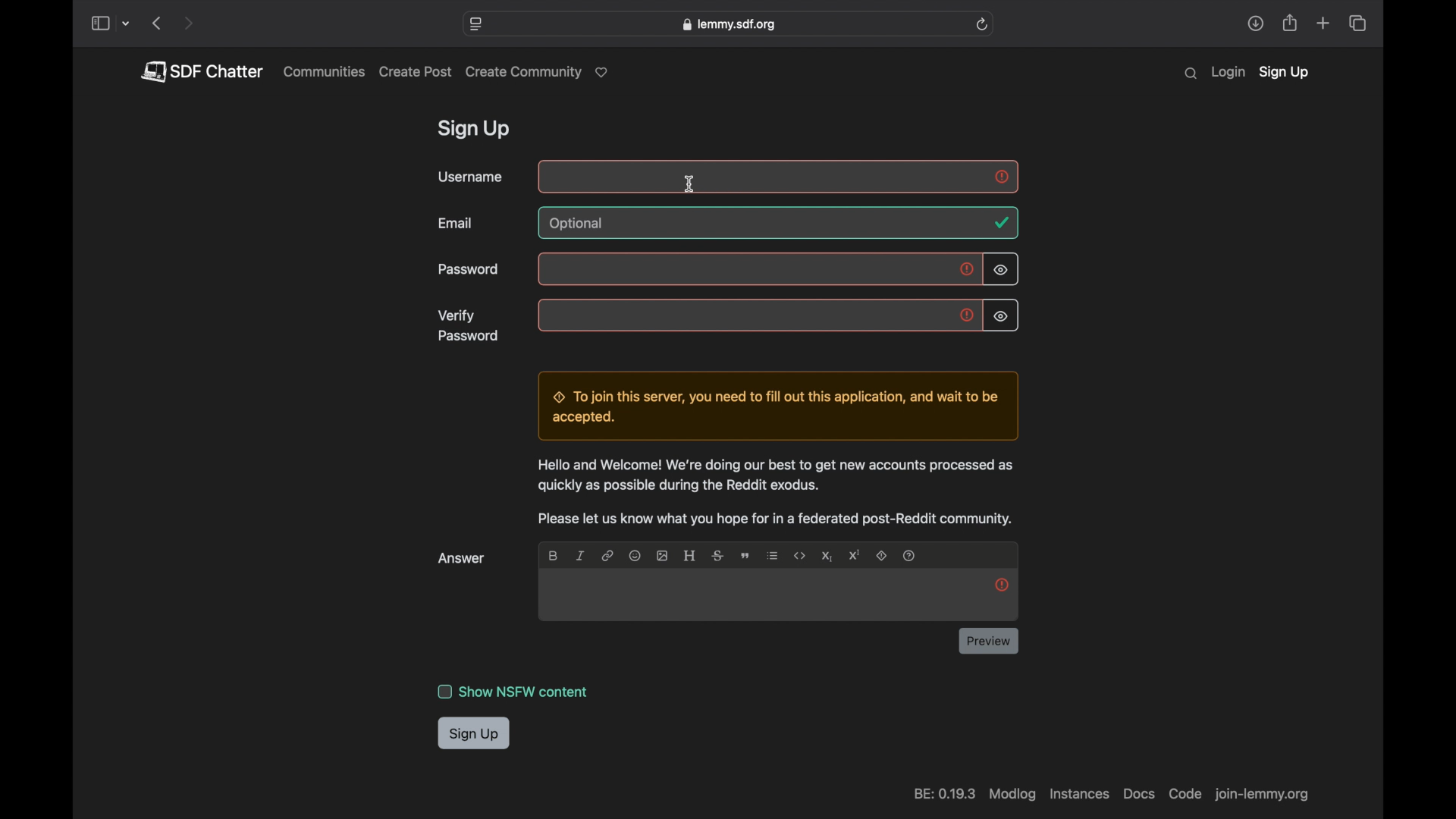  I want to click on show nsfw content, so click(513, 692).